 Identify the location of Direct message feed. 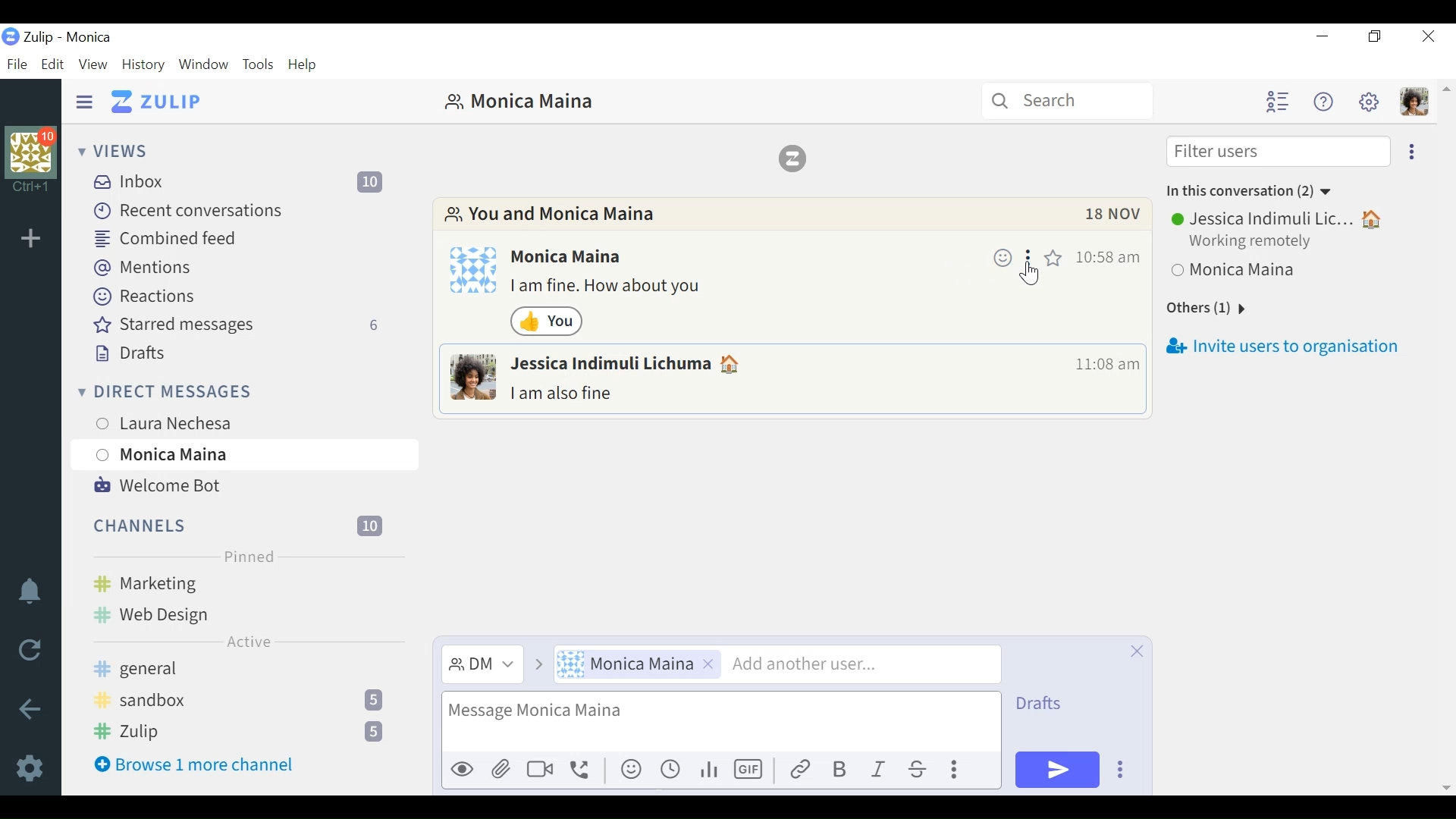
(345, 391).